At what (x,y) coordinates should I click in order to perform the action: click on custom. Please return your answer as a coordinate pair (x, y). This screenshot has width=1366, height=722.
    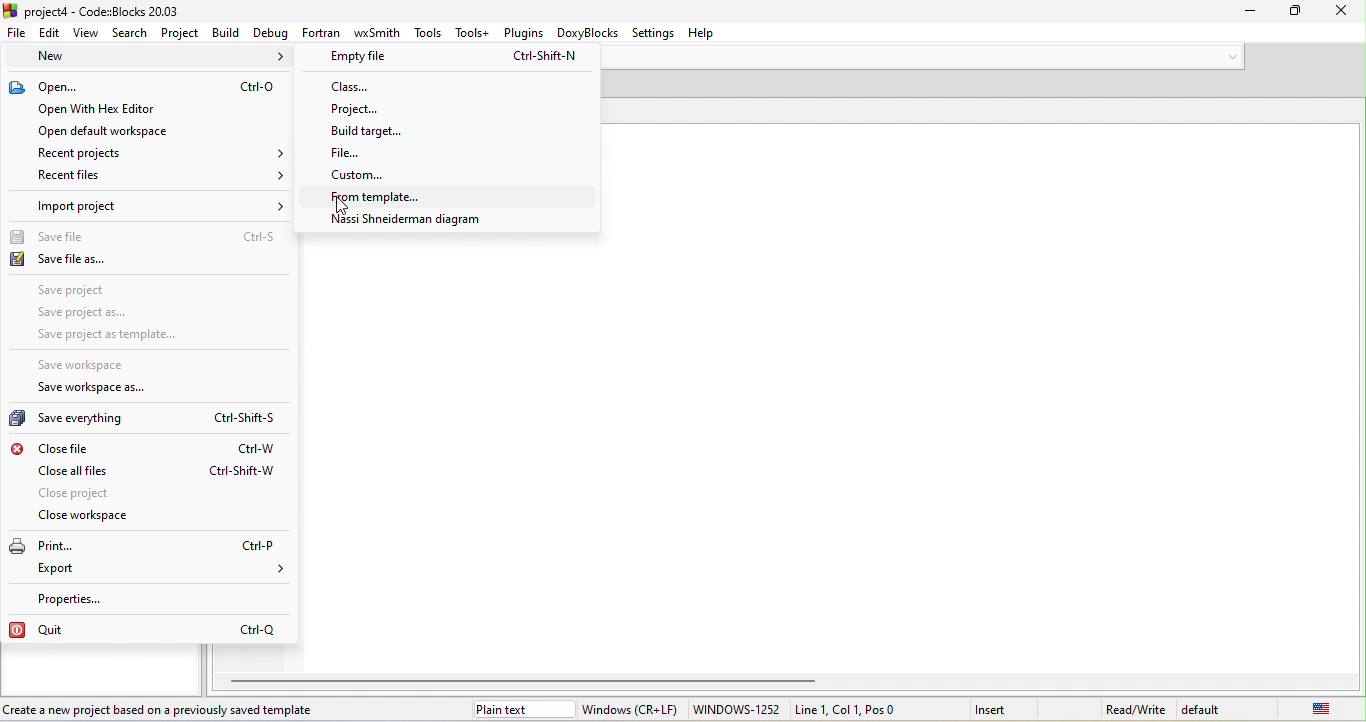
    Looking at the image, I should click on (376, 176).